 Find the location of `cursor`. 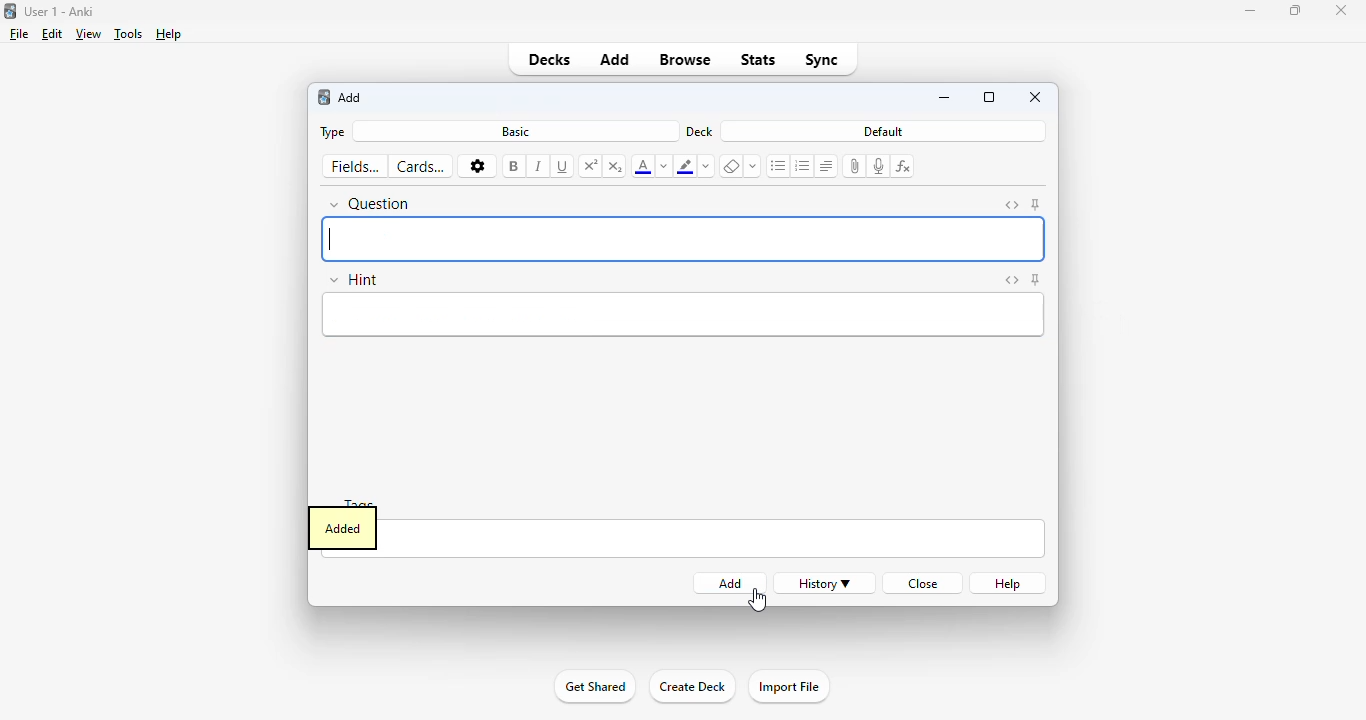

cursor is located at coordinates (756, 600).